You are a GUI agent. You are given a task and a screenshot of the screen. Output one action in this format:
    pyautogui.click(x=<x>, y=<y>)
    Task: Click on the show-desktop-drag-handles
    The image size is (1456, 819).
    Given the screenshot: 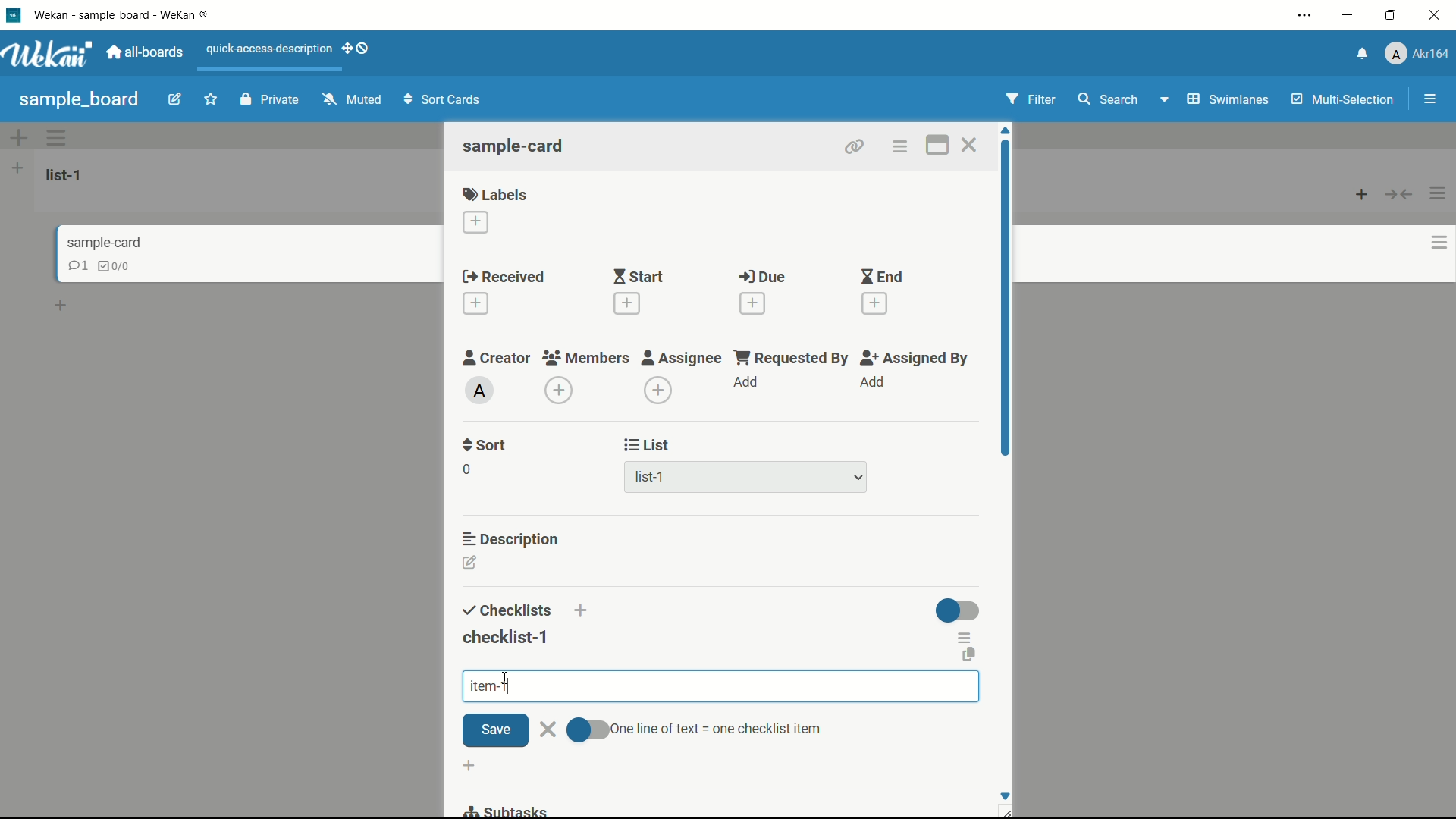 What is the action you would take?
    pyautogui.click(x=365, y=49)
    